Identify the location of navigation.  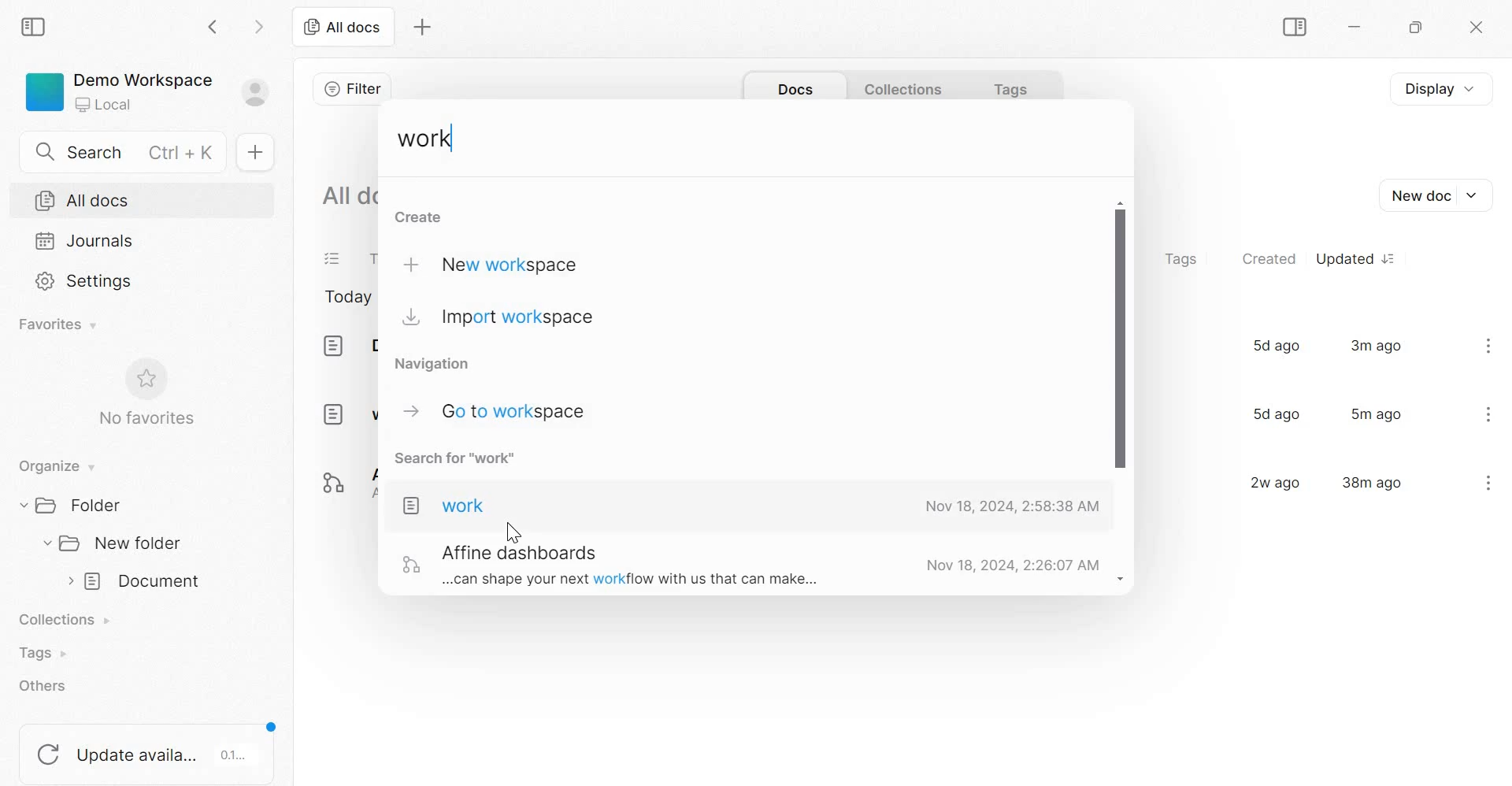
(440, 363).